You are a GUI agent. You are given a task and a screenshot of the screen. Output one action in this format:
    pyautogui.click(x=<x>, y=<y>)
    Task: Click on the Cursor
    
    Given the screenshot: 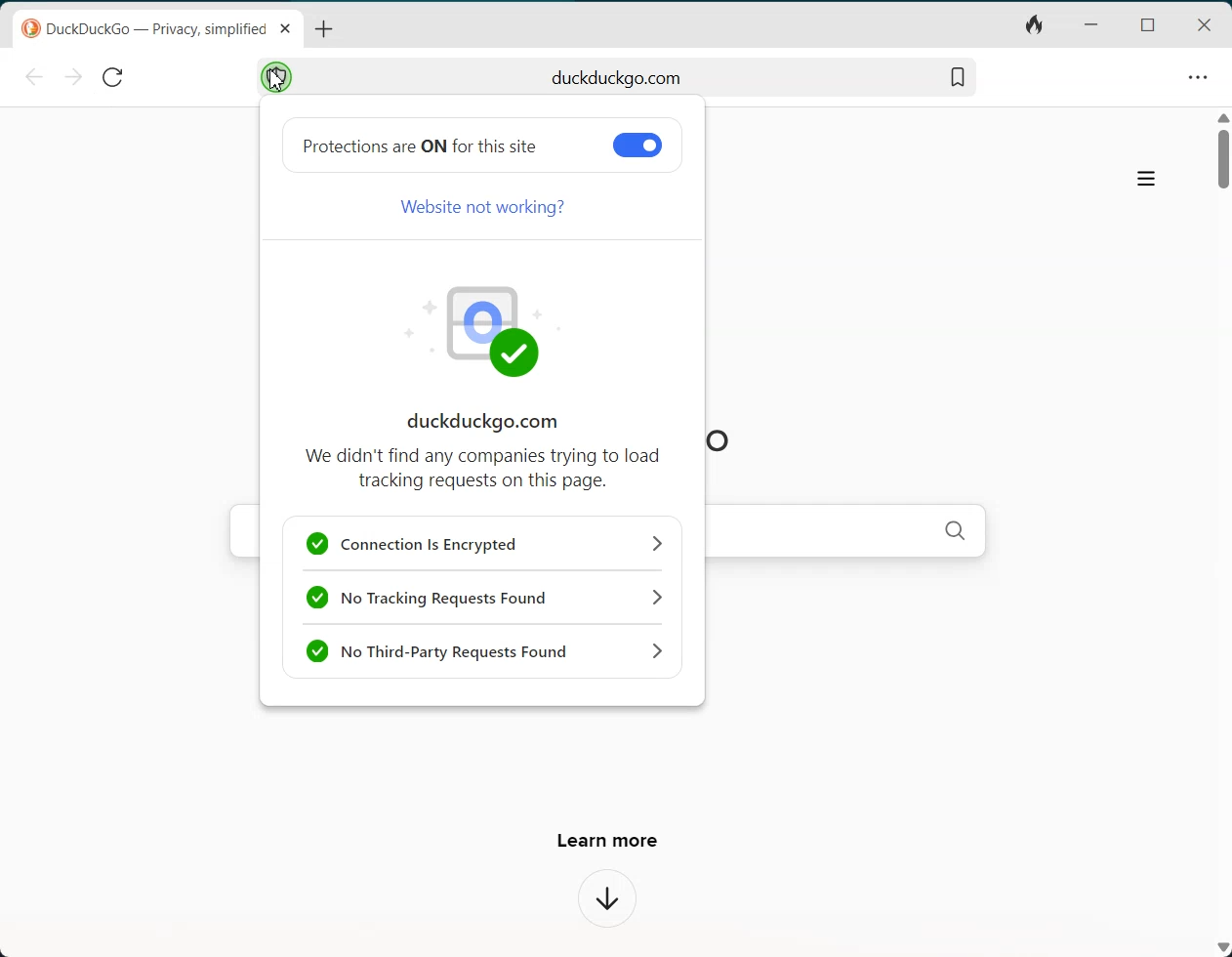 What is the action you would take?
    pyautogui.click(x=276, y=82)
    